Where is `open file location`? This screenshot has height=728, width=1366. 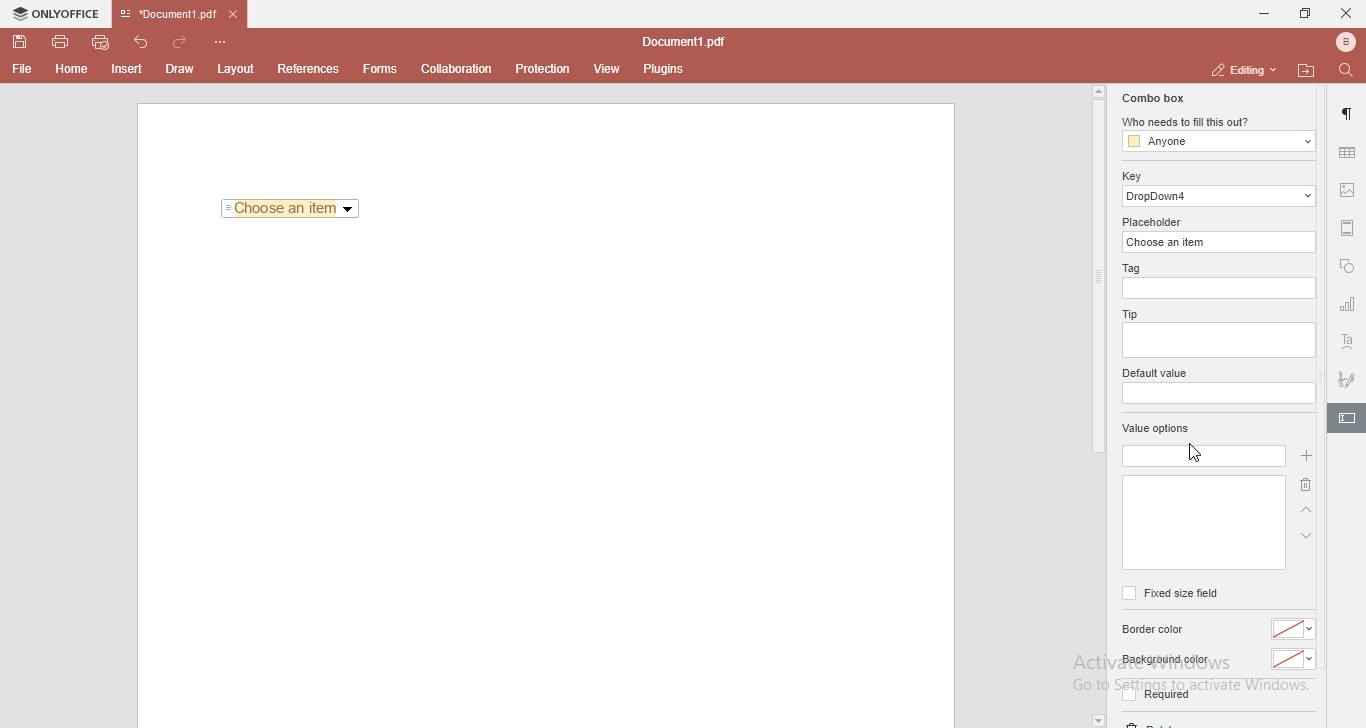
open file location is located at coordinates (1309, 70).